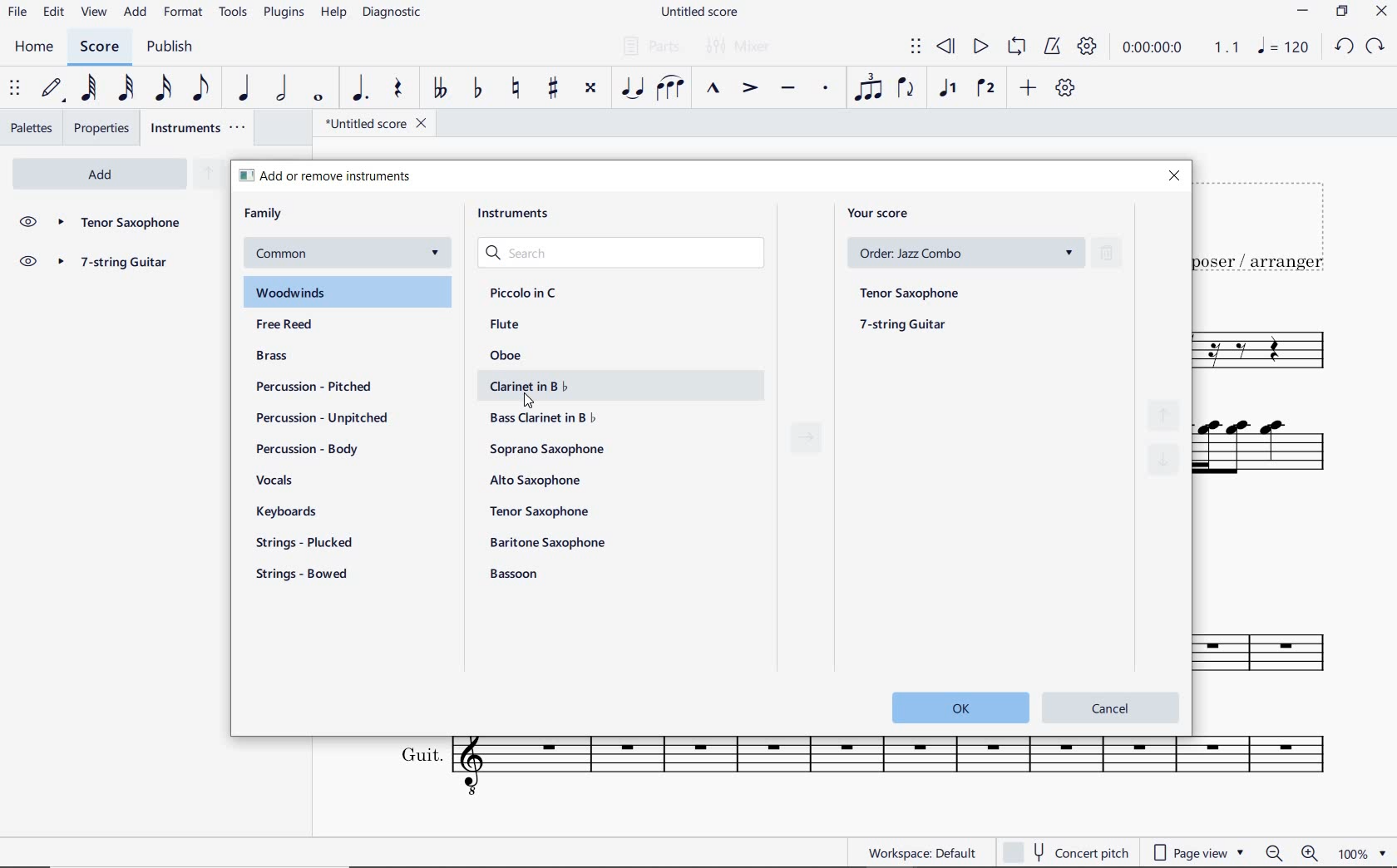  Describe the element at coordinates (392, 12) in the screenshot. I see `DIAGNOSTIC` at that location.